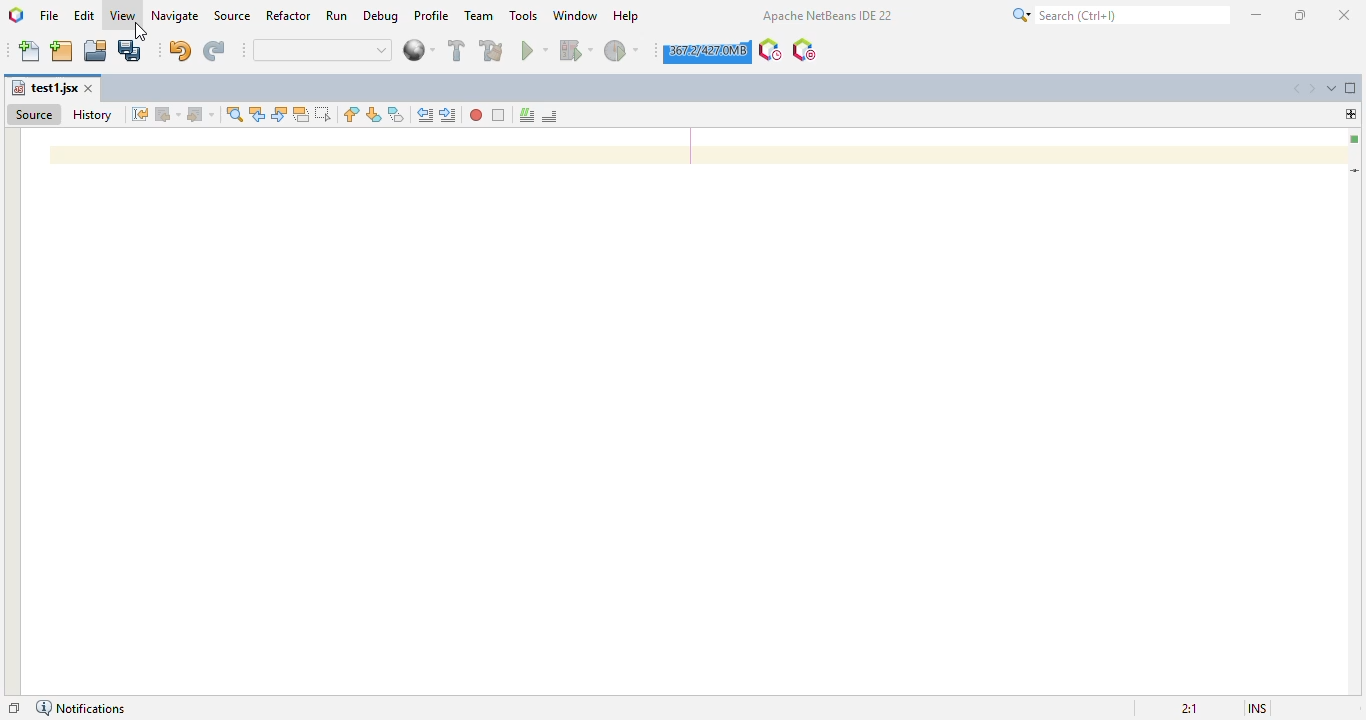 The image size is (1366, 720). Describe the element at coordinates (575, 14) in the screenshot. I see `window` at that location.